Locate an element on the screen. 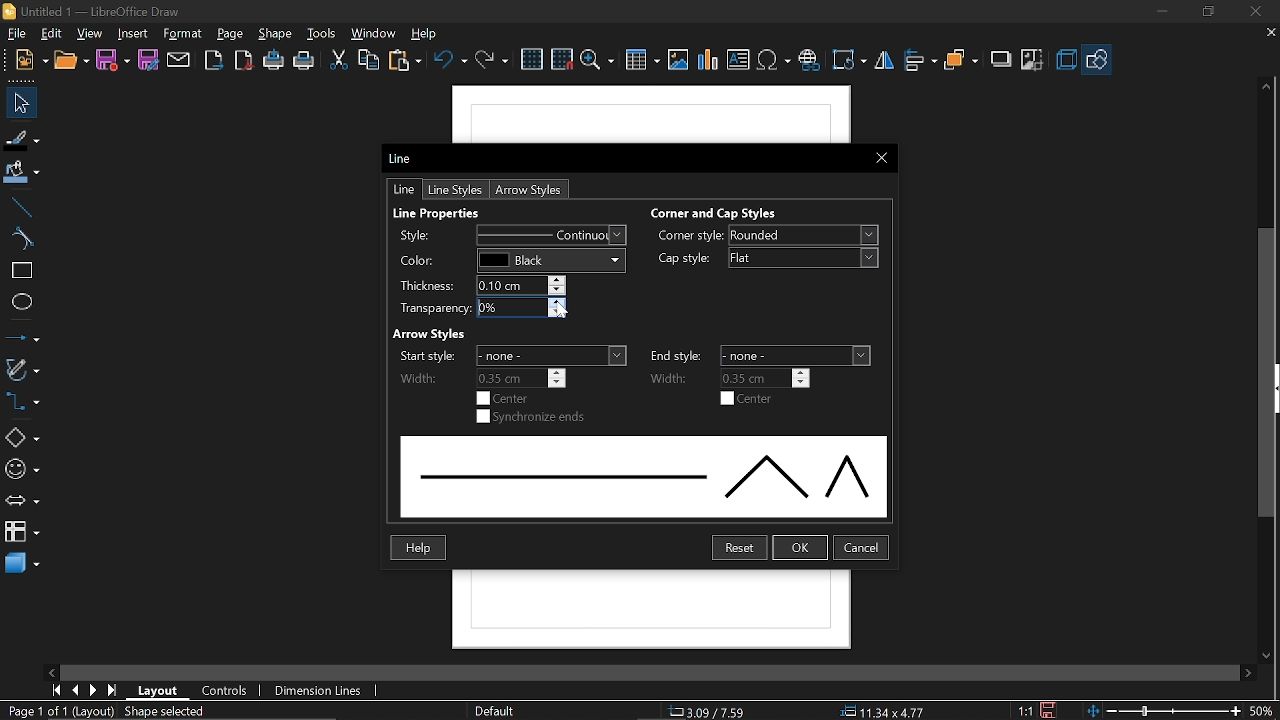 The width and height of the screenshot is (1280, 720). attach is located at coordinates (177, 61).